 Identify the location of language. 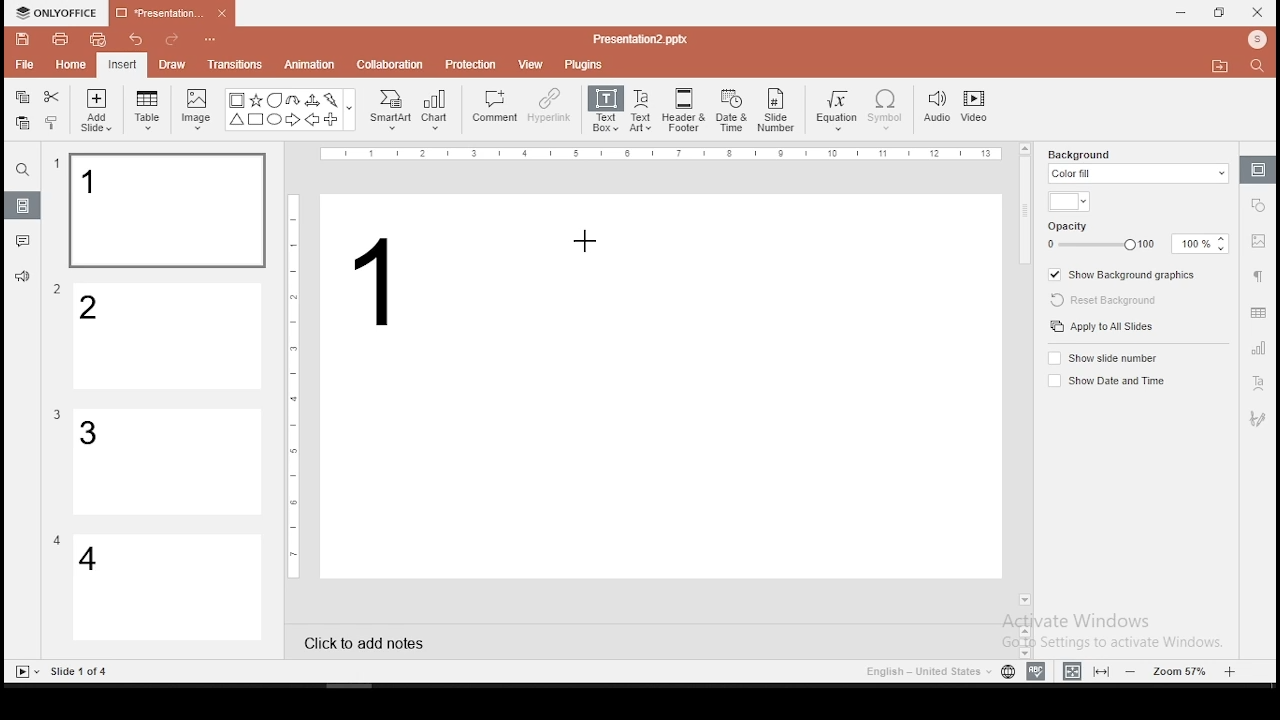
(1007, 672).